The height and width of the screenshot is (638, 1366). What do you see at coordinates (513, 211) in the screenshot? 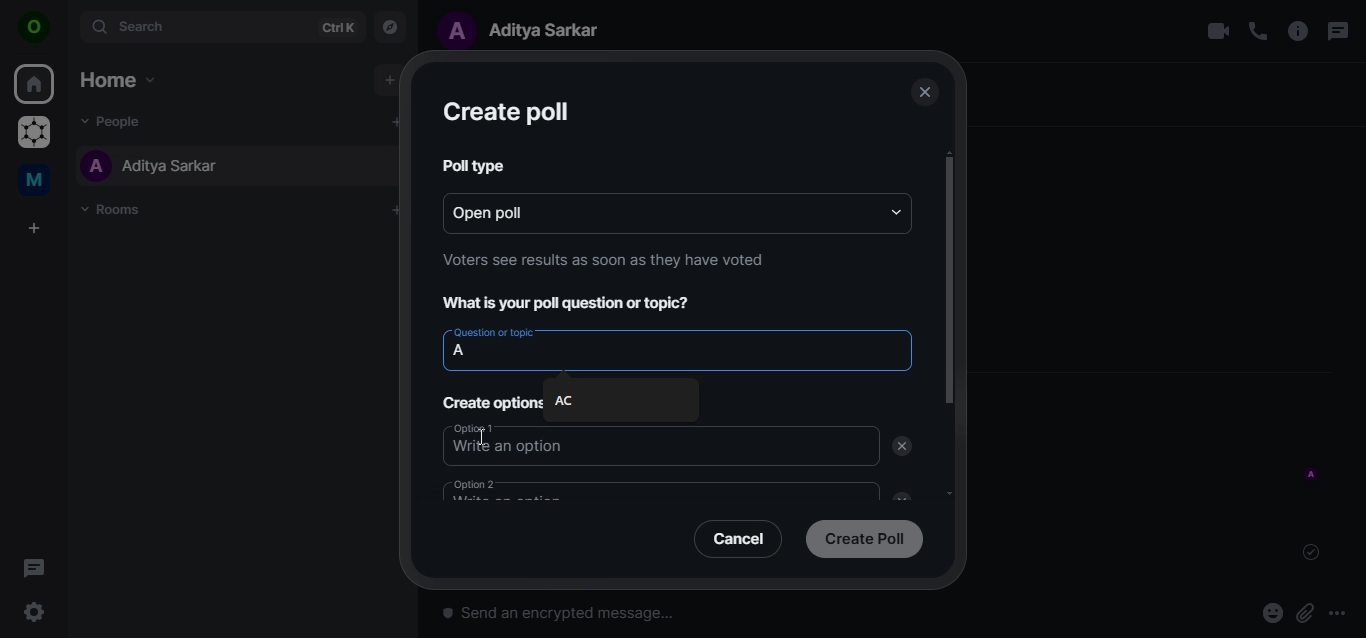
I see `open poll` at bounding box center [513, 211].